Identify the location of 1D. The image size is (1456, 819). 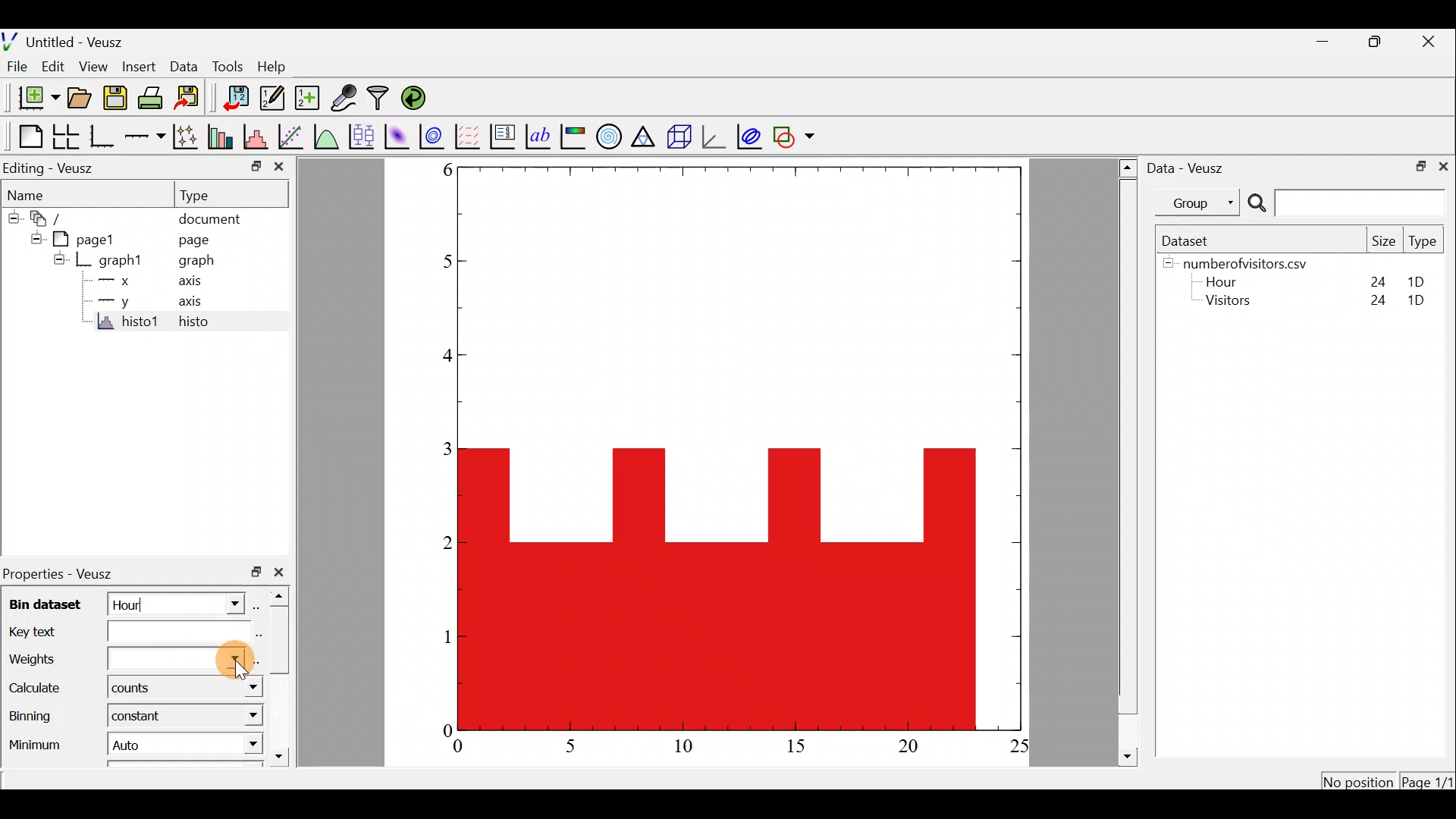
(1410, 278).